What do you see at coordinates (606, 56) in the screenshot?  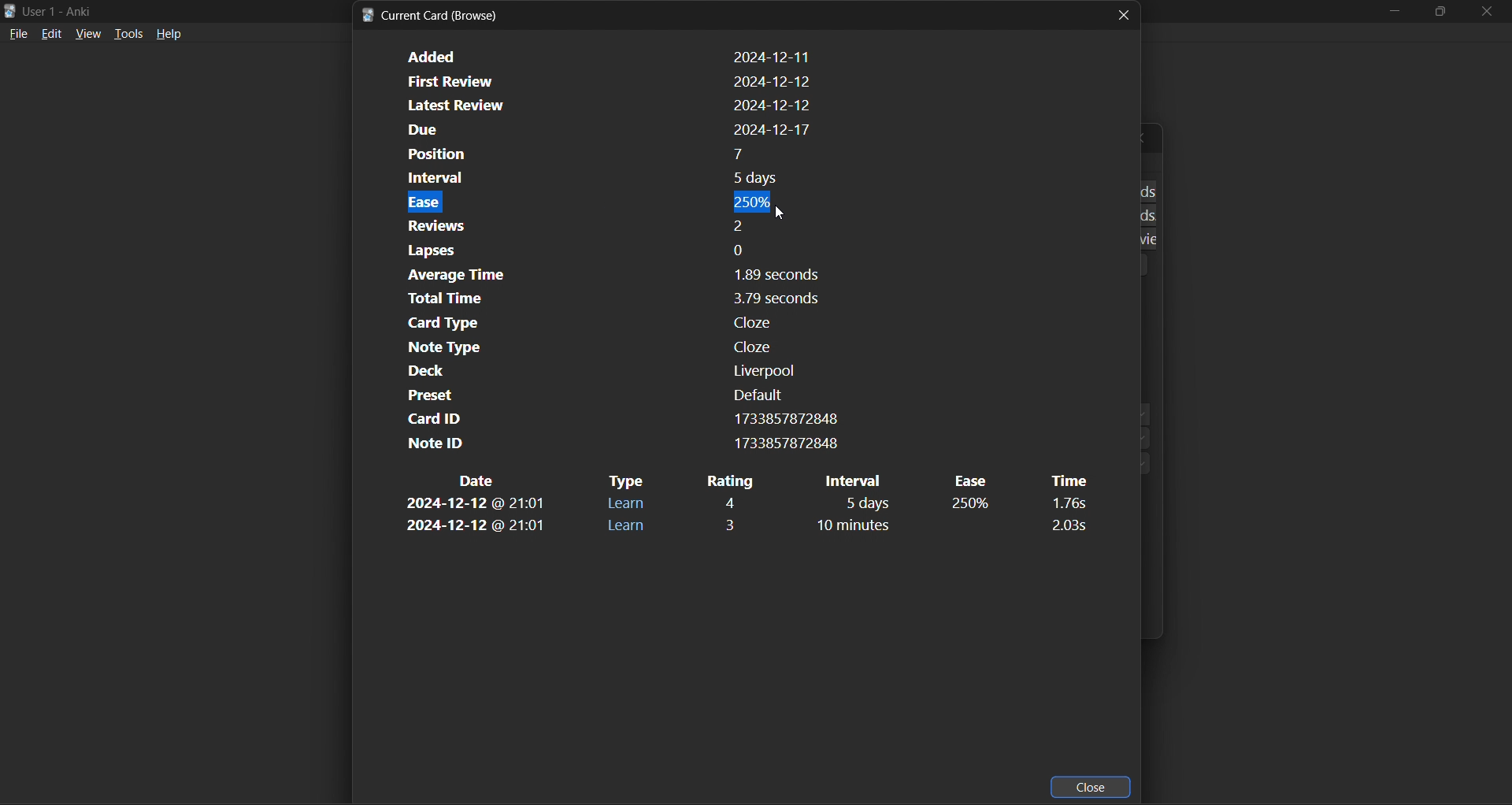 I see `card added date` at bounding box center [606, 56].